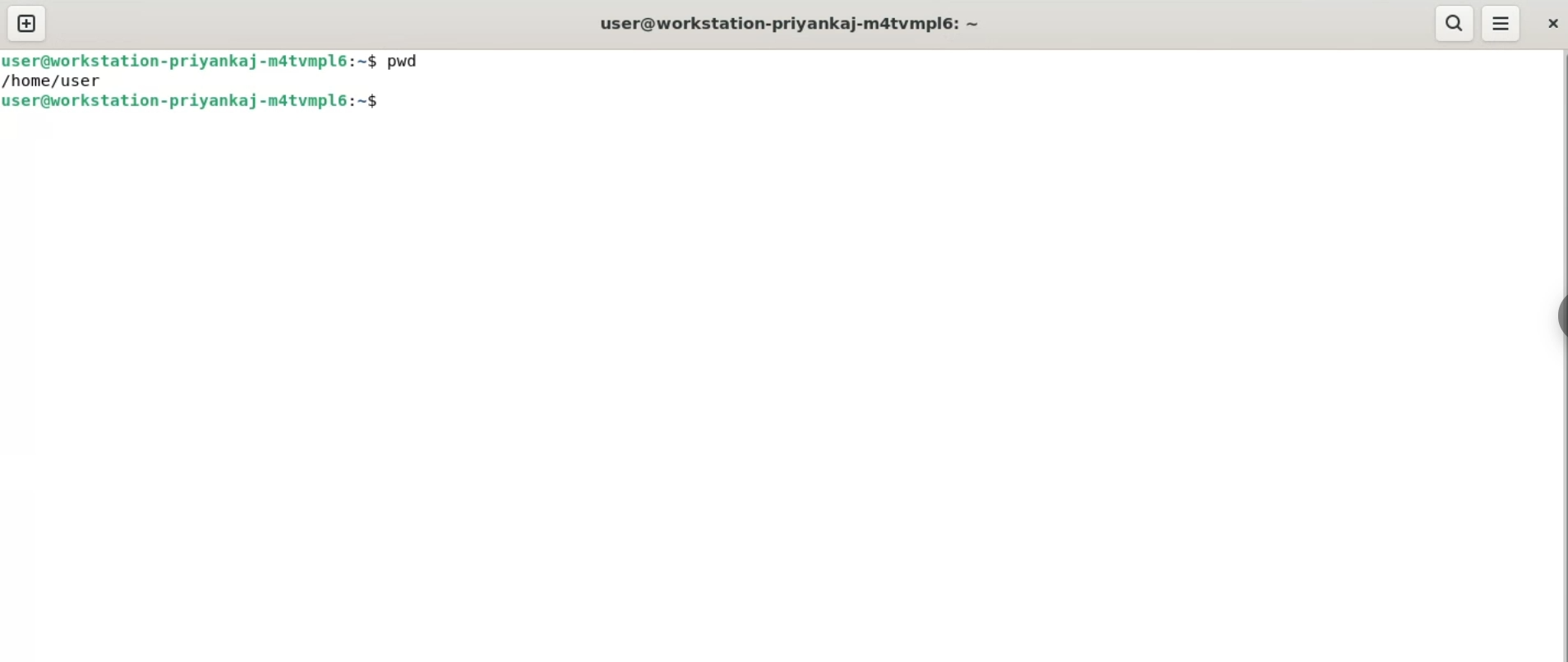  Describe the element at coordinates (1554, 20) in the screenshot. I see `close` at that location.